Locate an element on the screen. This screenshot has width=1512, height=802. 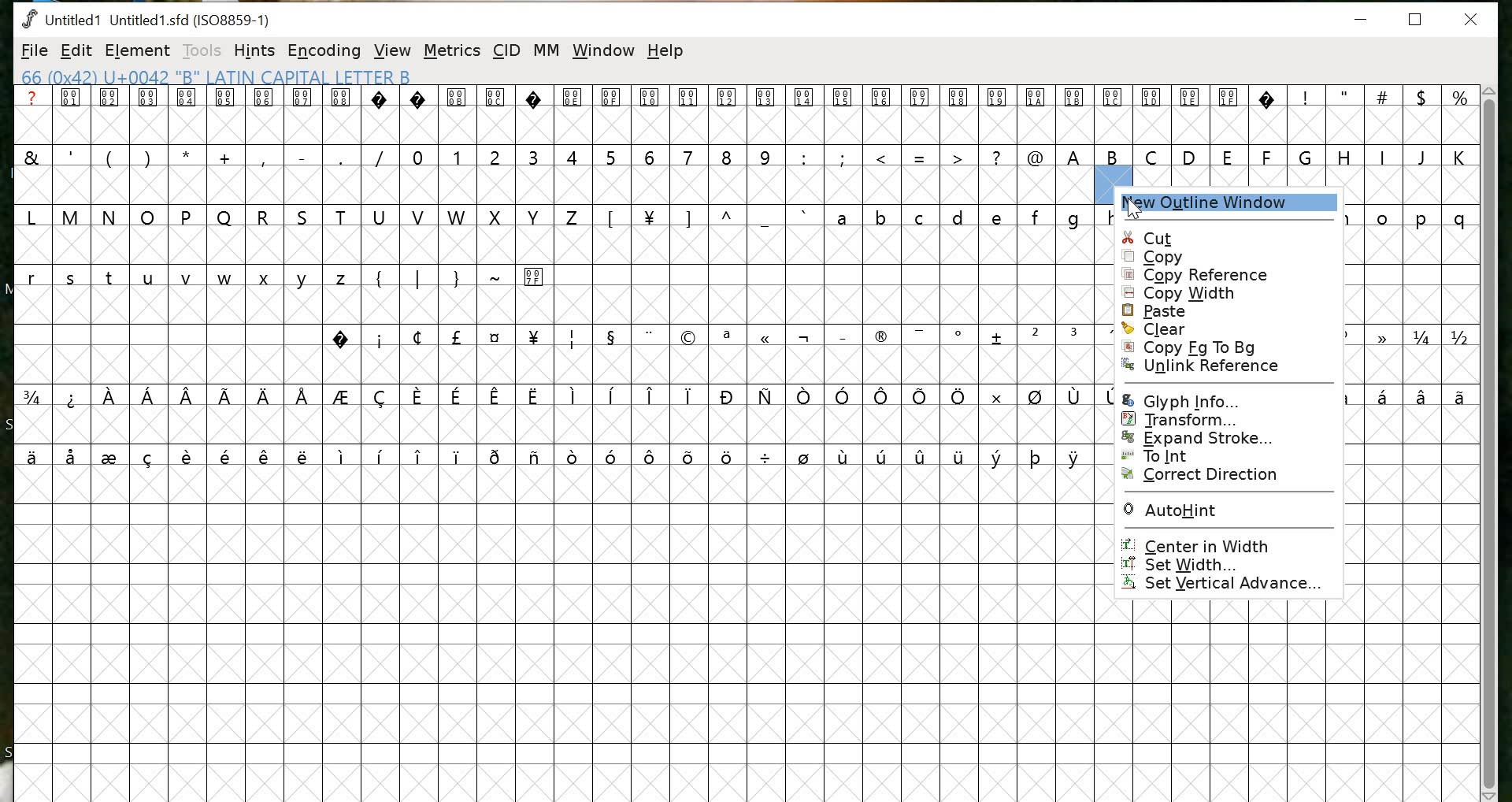
MM is located at coordinates (547, 51).